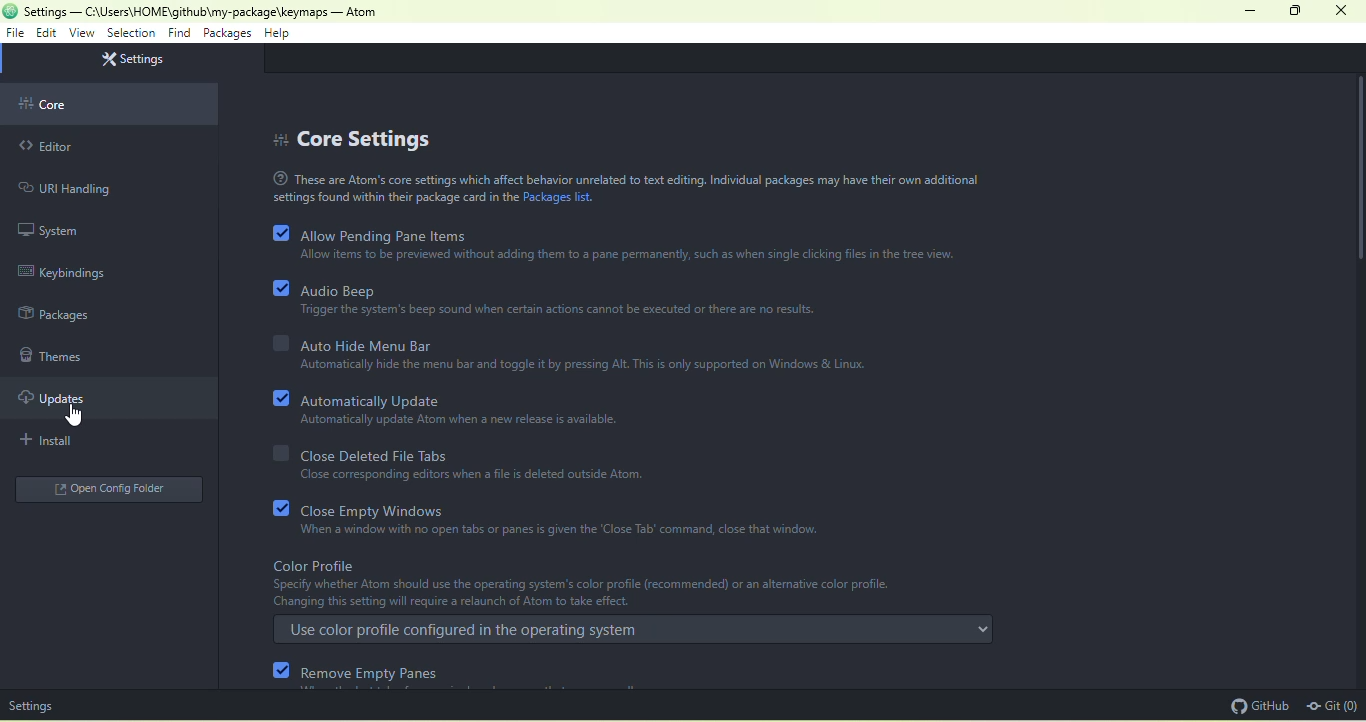  I want to click on color profile, so click(314, 566).